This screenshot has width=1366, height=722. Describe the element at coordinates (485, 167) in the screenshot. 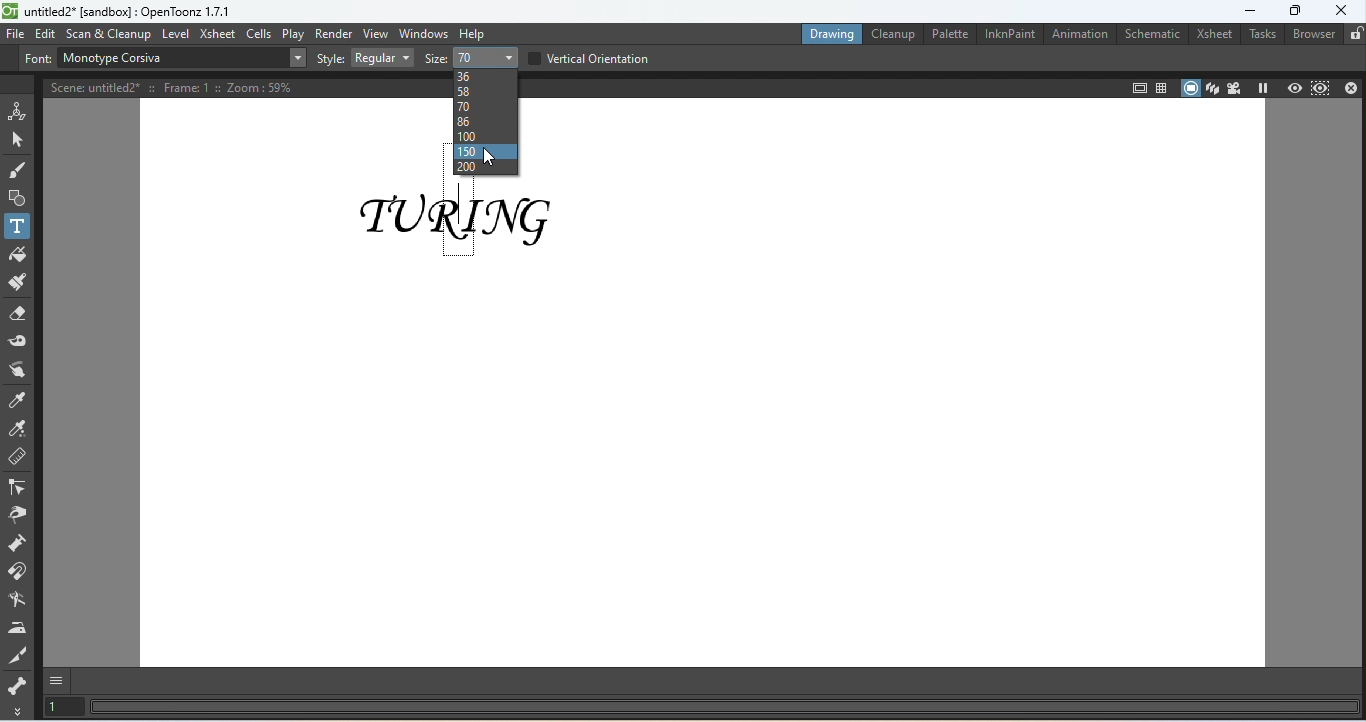

I see `200` at that location.